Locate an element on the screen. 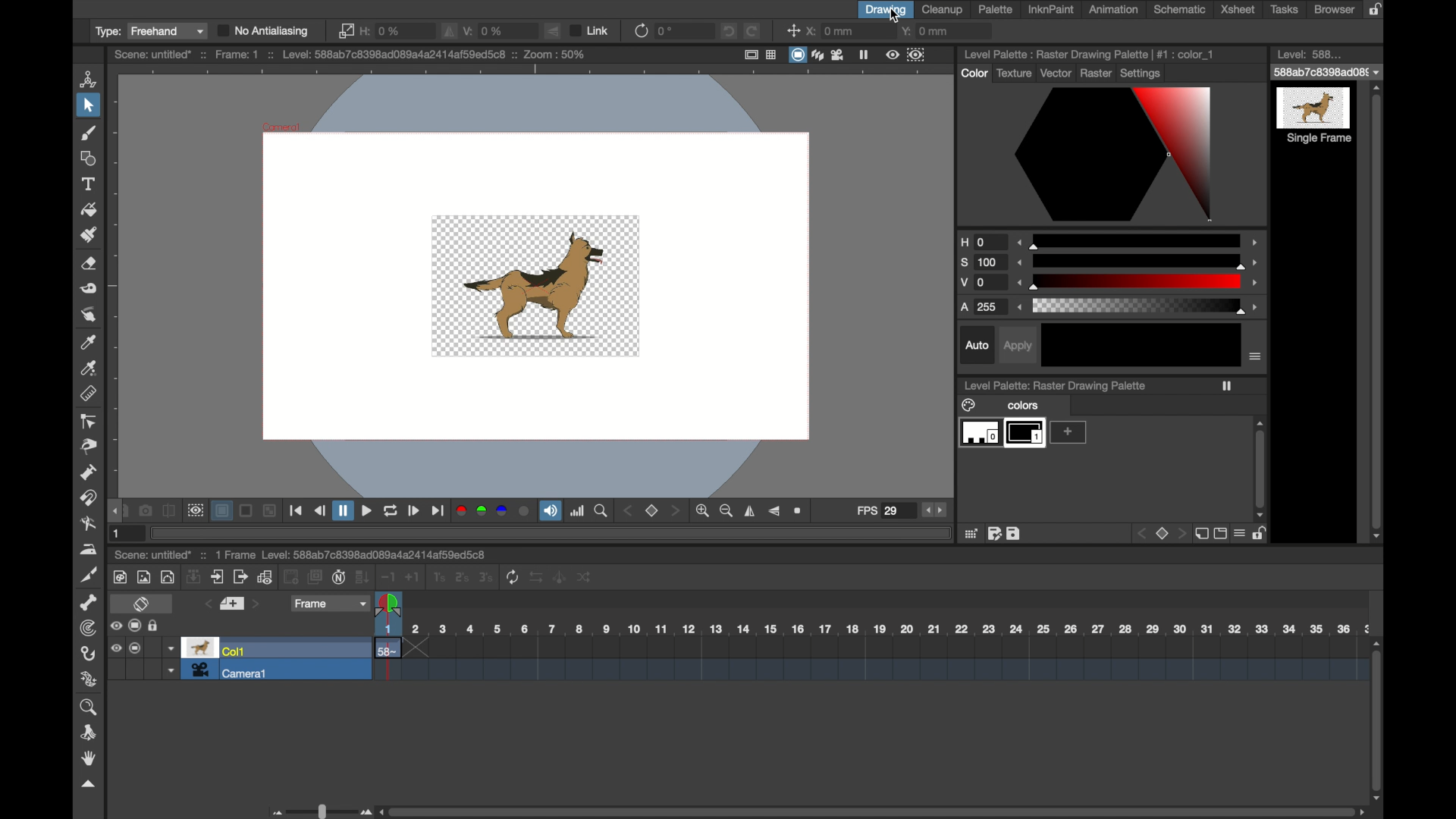 This screenshot has height=819, width=1456. scroll bar is located at coordinates (1377, 311).